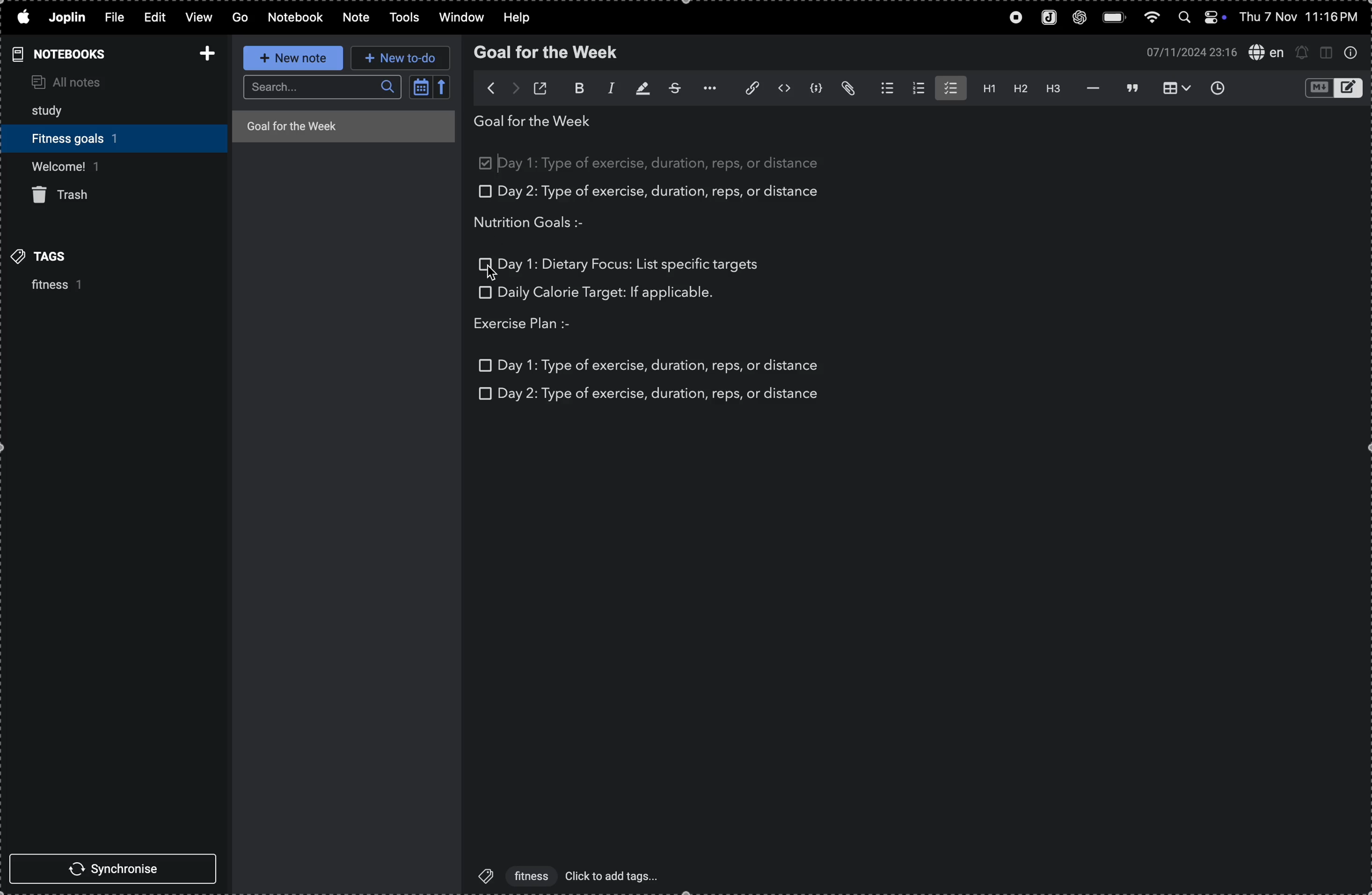  I want to click on 'fitness' click to add tags, so click(564, 875).